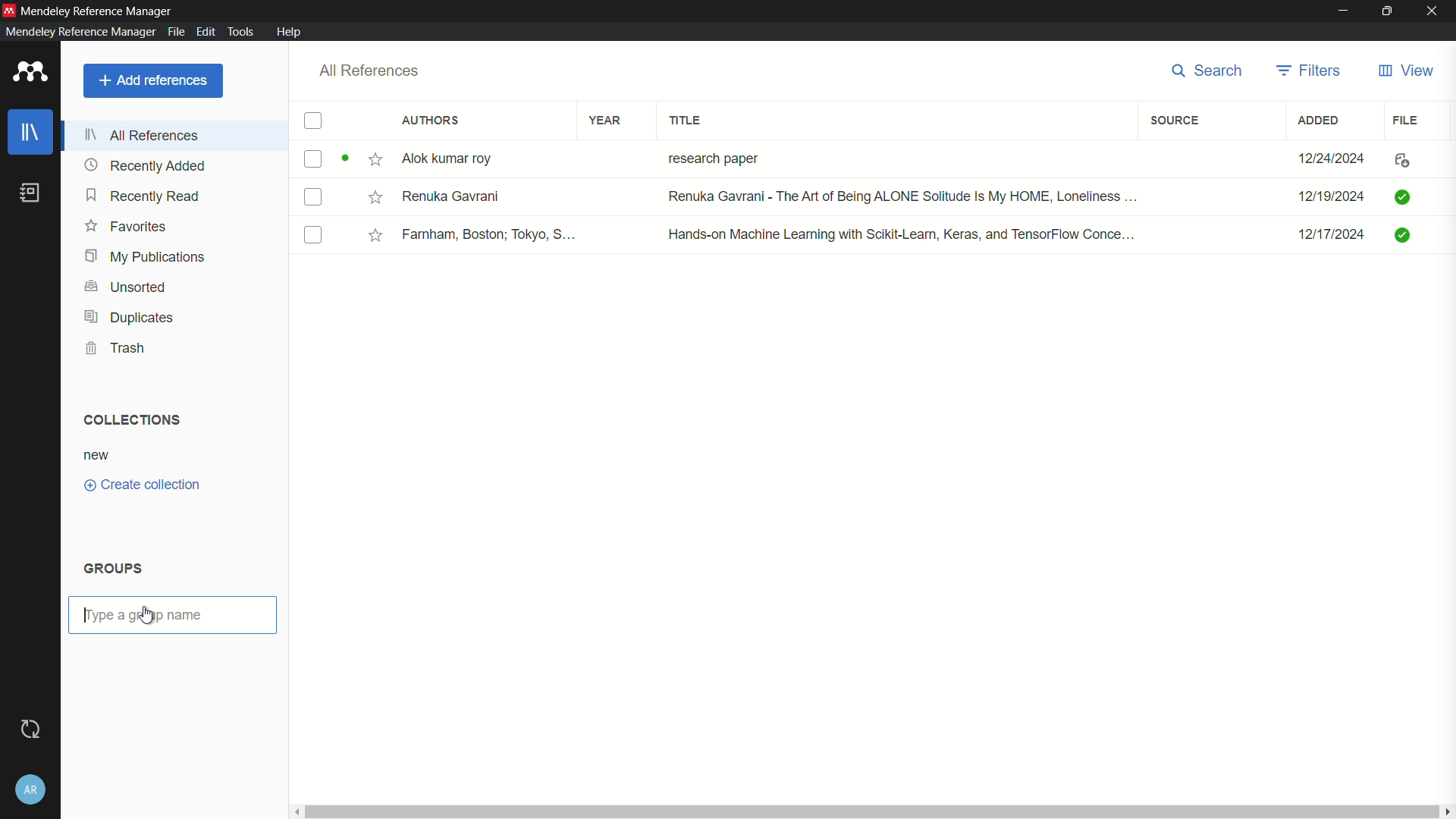  I want to click on download, so click(1398, 162).